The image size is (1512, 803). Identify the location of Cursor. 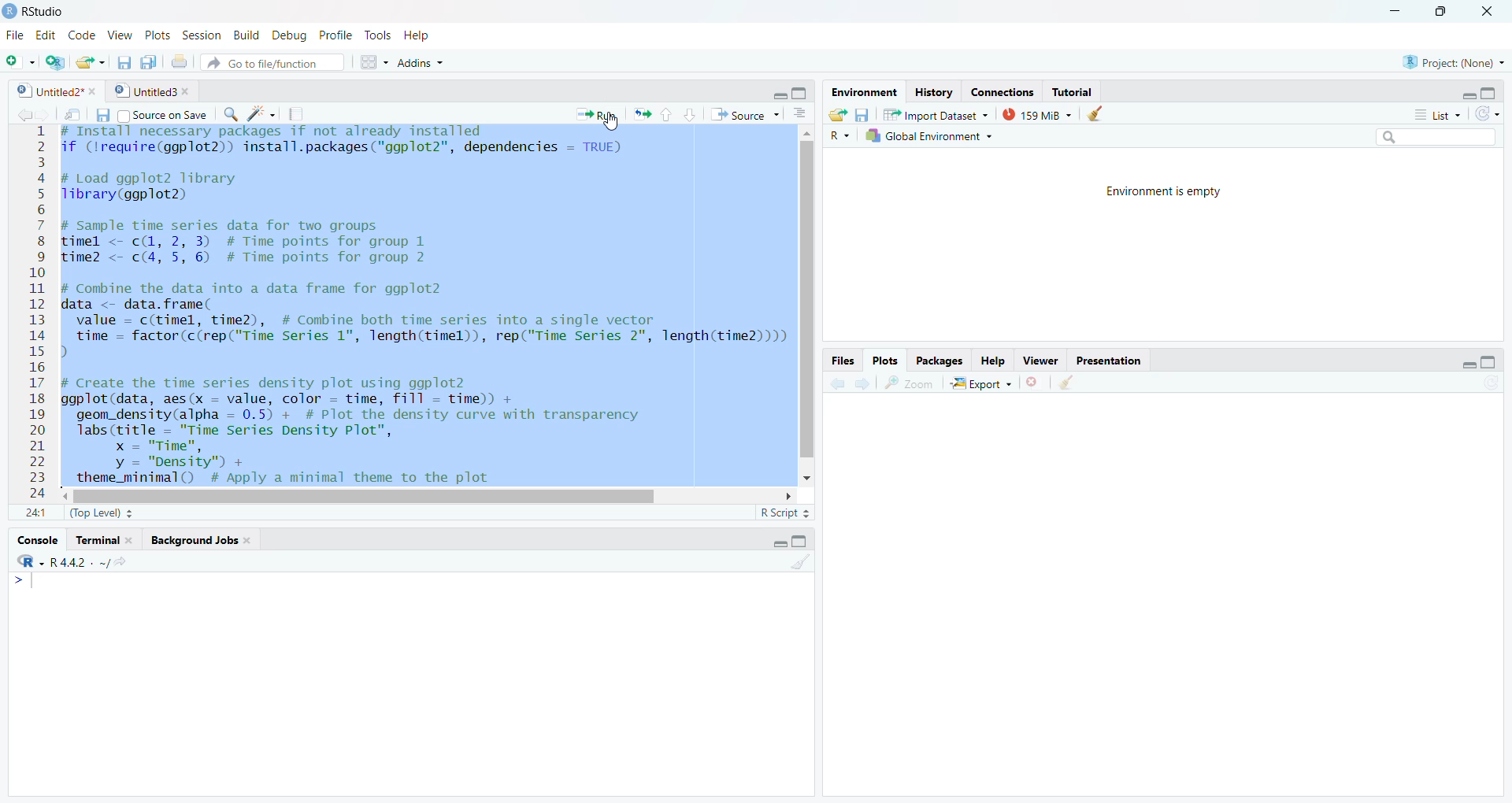
(278, 303).